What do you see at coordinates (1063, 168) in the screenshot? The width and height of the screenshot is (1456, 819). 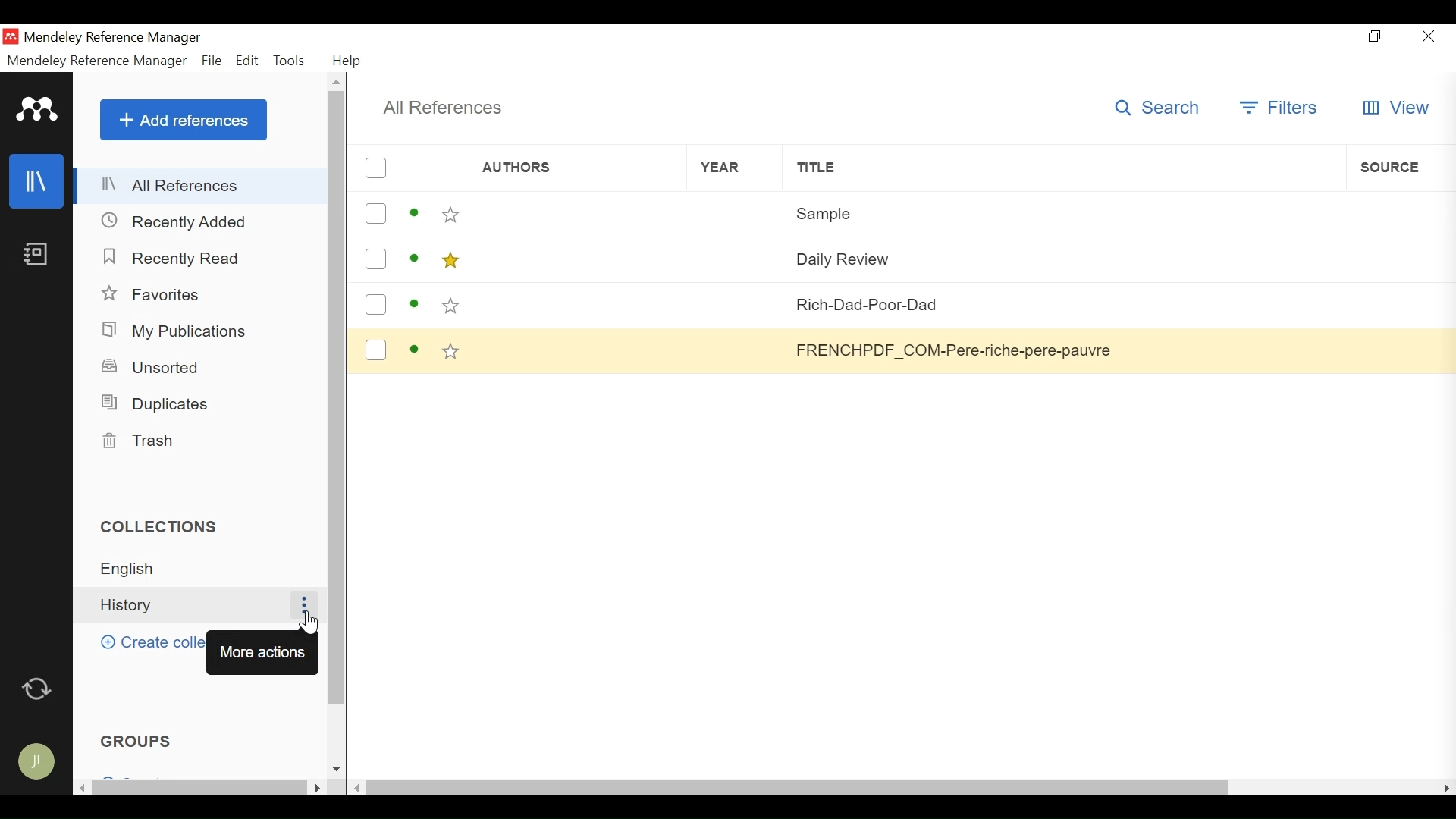 I see `Title` at bounding box center [1063, 168].